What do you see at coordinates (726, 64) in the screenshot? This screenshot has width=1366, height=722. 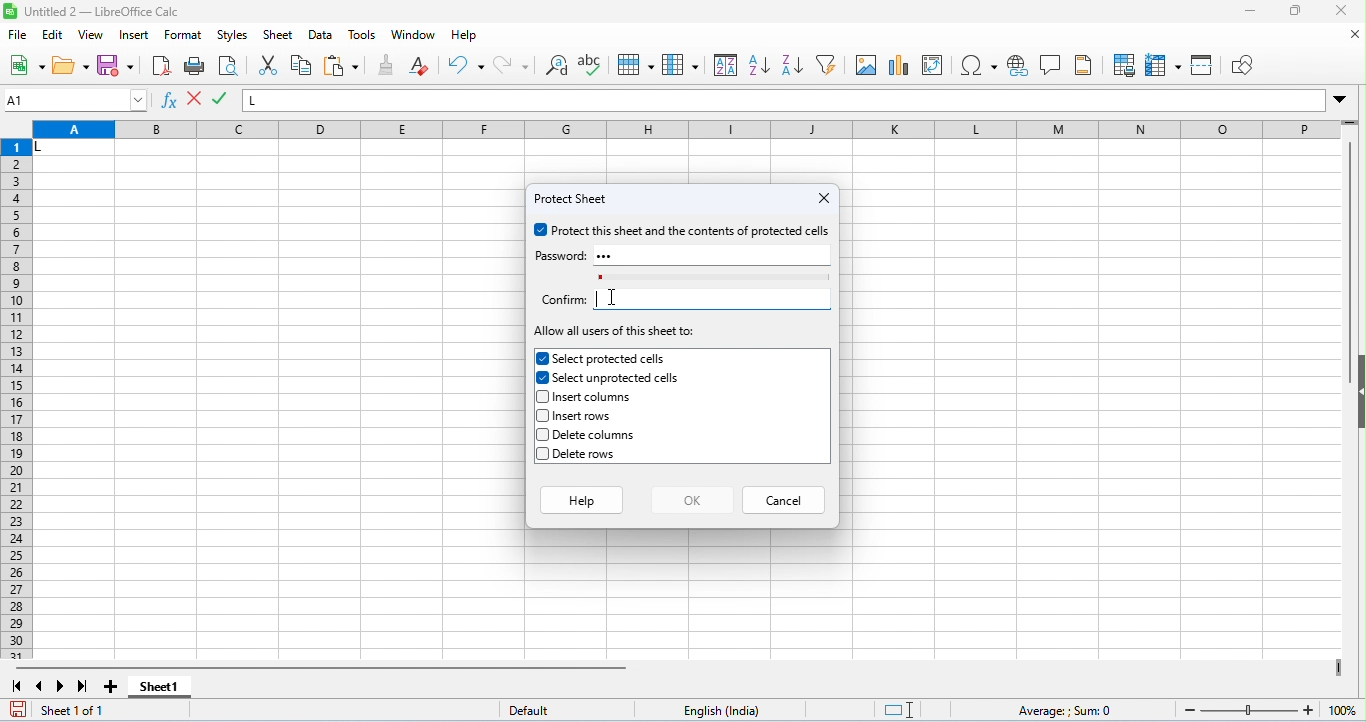 I see `sort` at bounding box center [726, 64].